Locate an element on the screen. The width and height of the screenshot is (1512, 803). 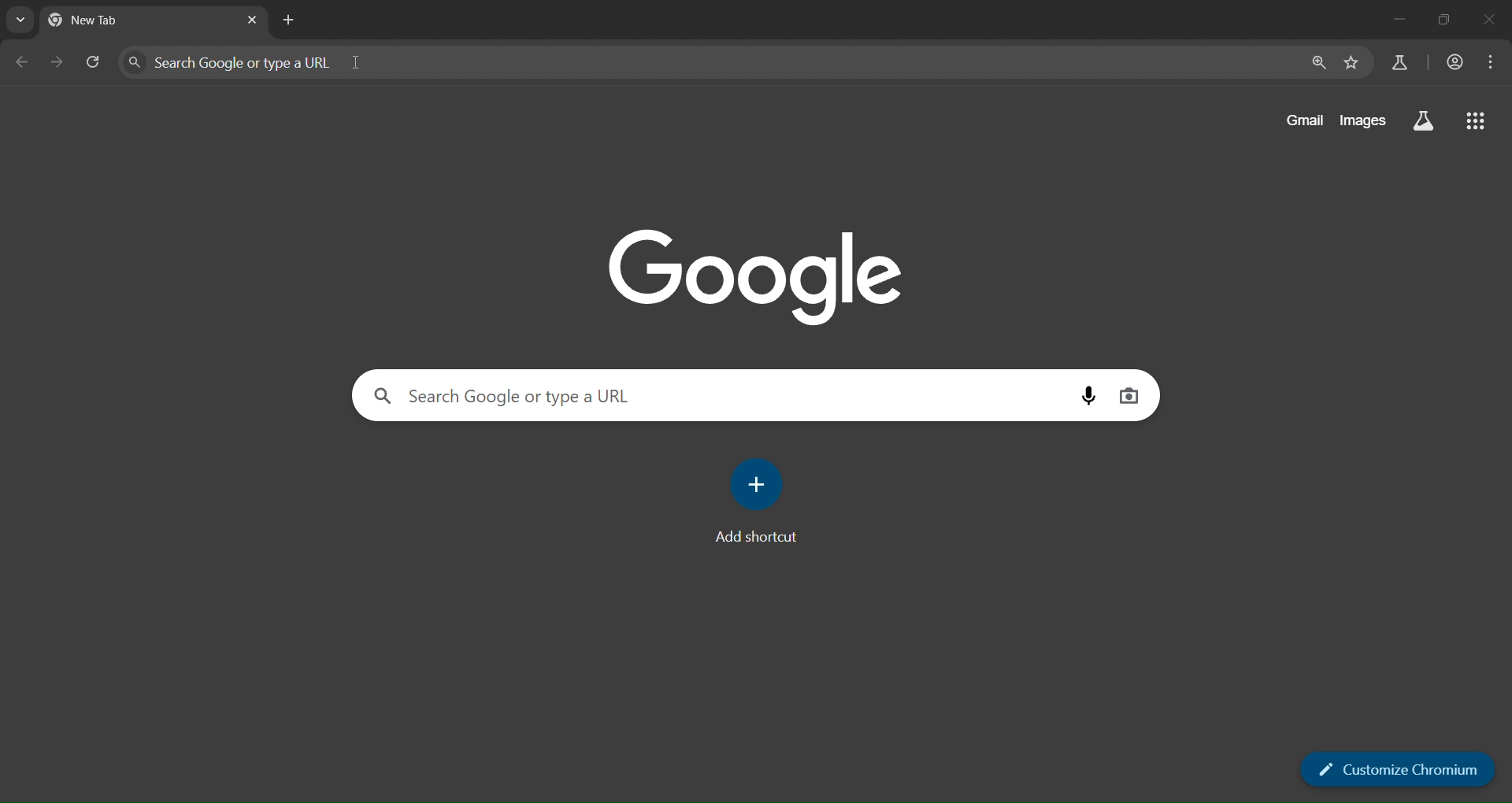
new tab is located at coordinates (287, 20).